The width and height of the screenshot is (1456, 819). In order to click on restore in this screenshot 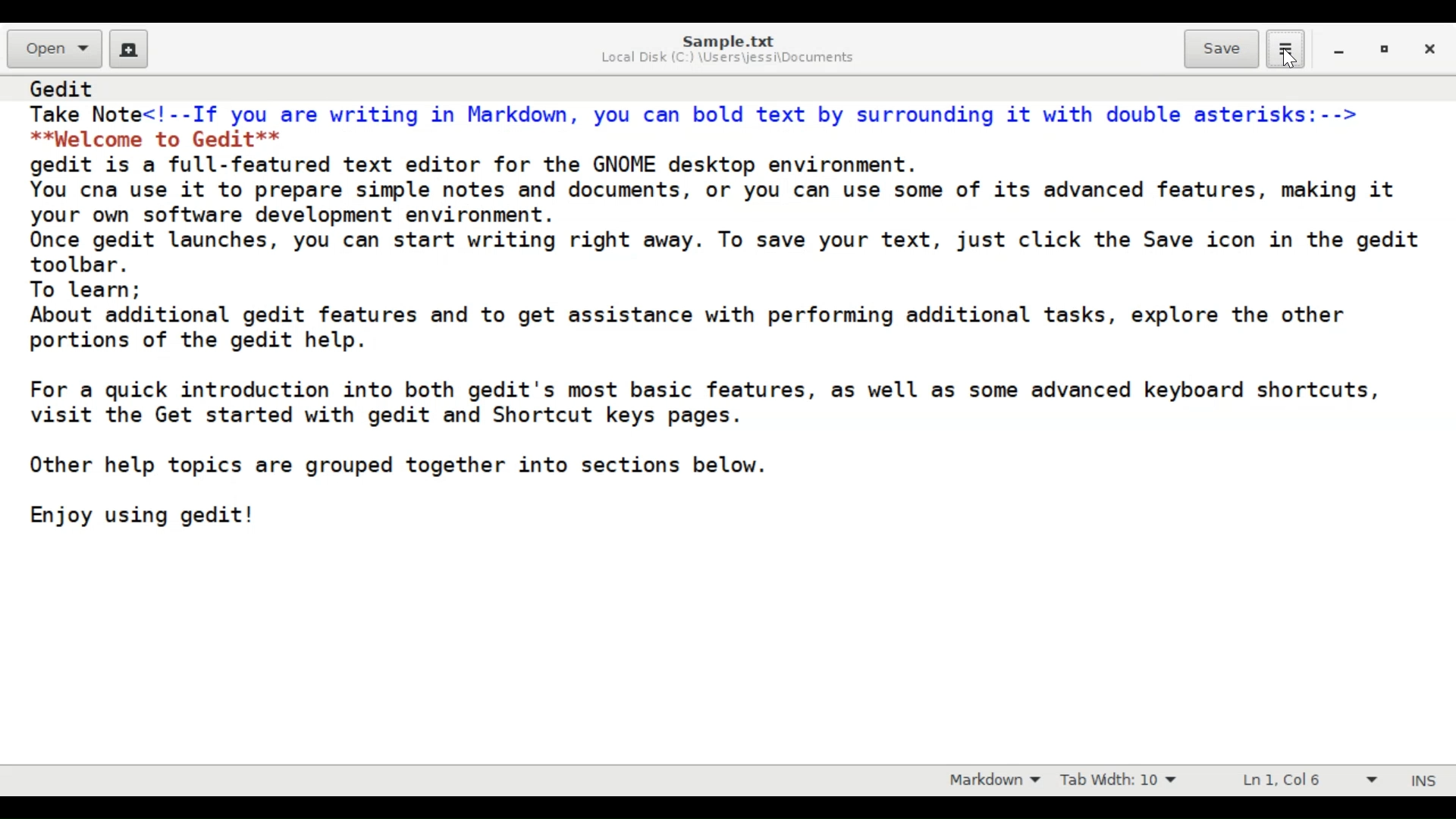, I will do `click(1389, 51)`.